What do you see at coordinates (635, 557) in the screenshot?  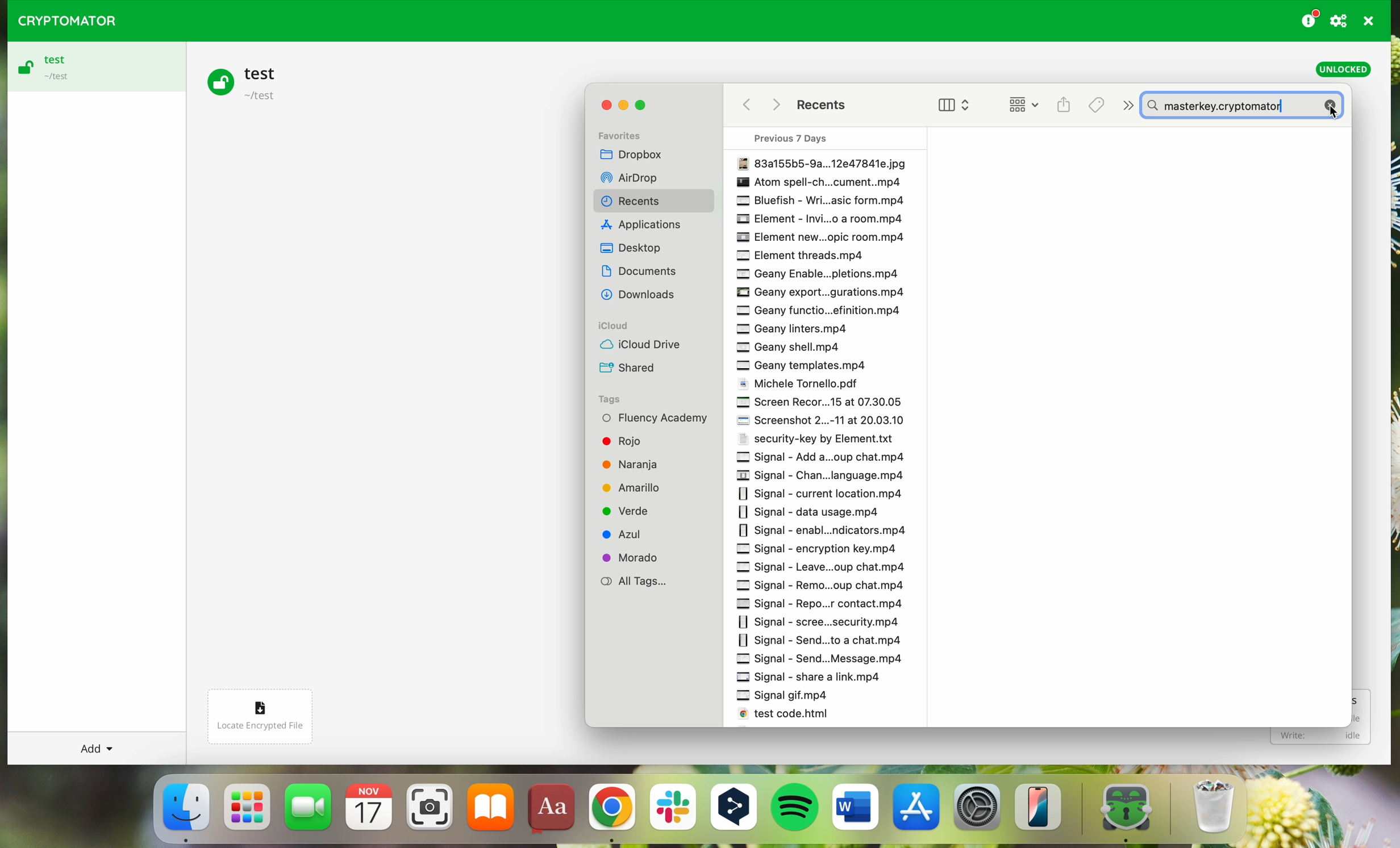 I see `Morado` at bounding box center [635, 557].